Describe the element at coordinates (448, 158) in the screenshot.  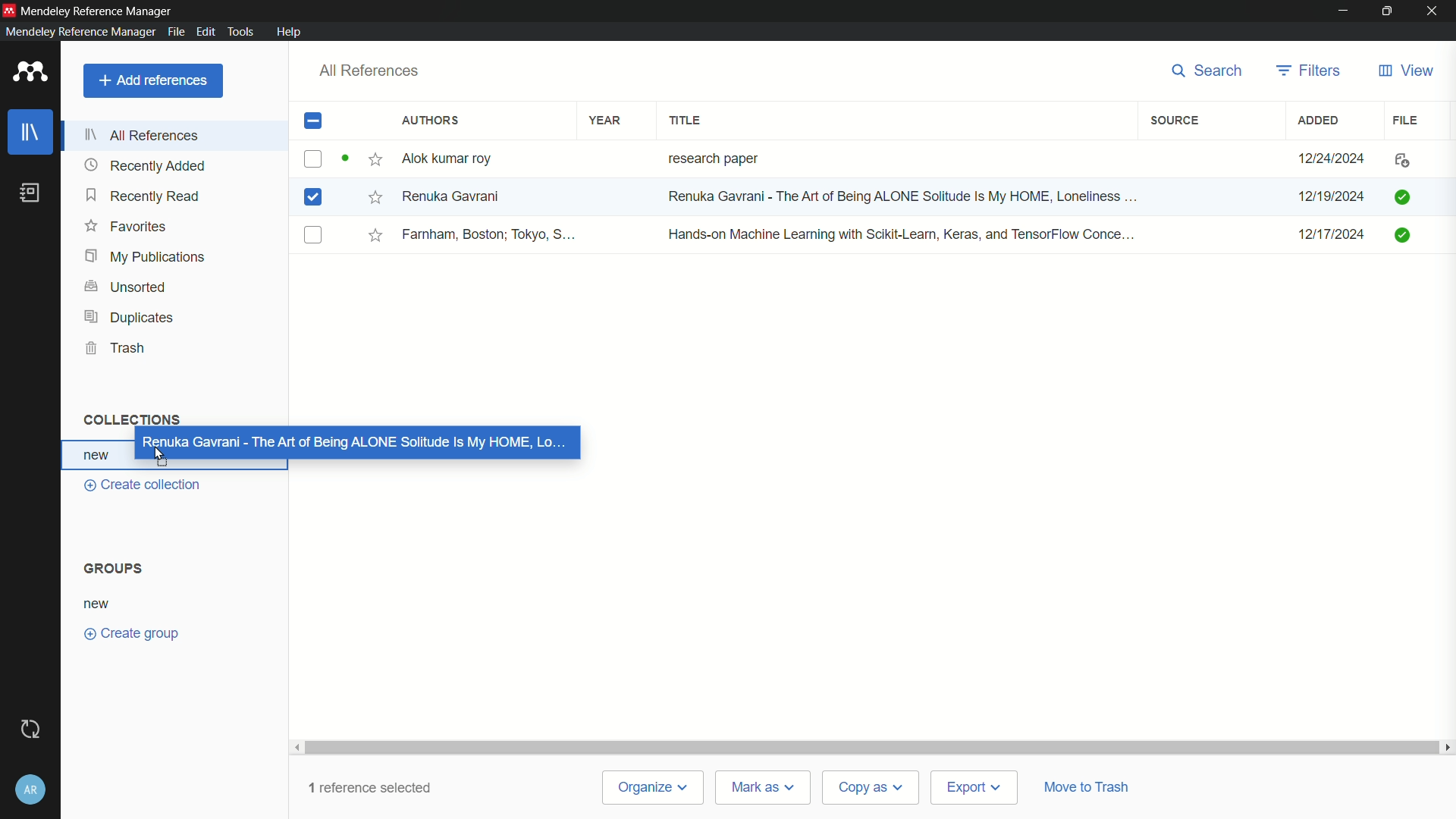
I see `Alok kumar roy` at that location.